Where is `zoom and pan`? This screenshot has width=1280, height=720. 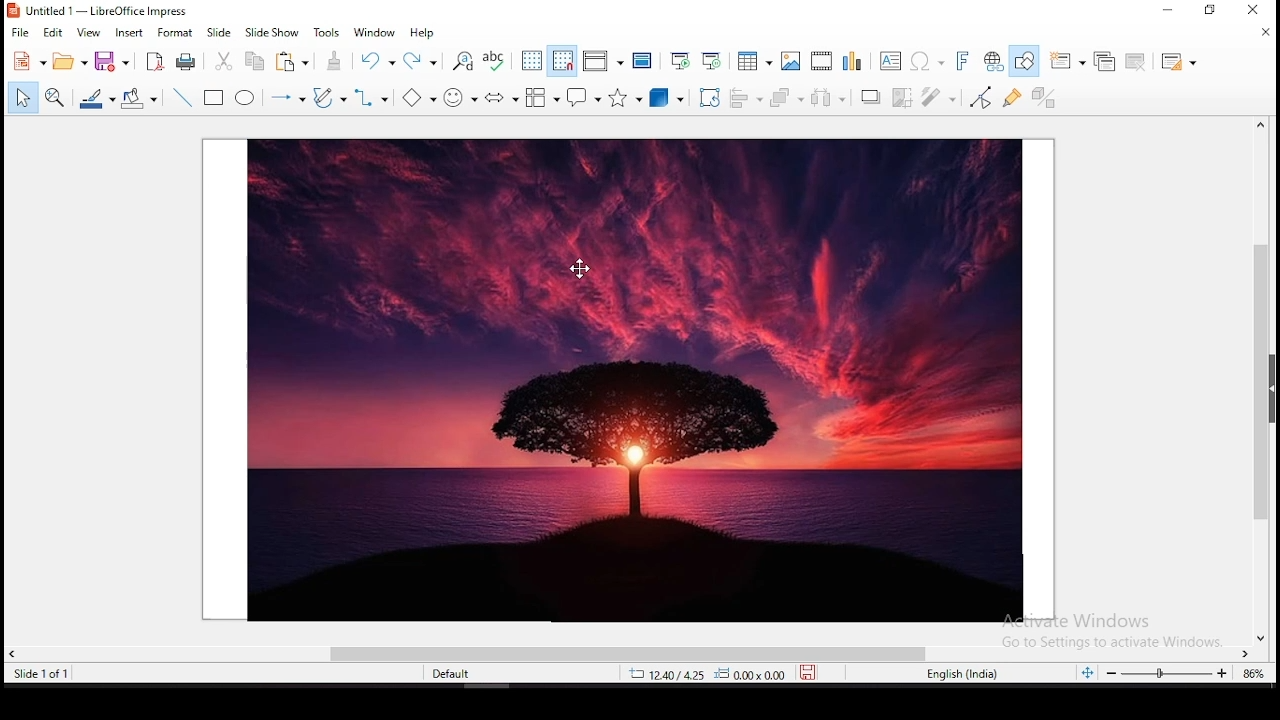
zoom and pan is located at coordinates (53, 98).